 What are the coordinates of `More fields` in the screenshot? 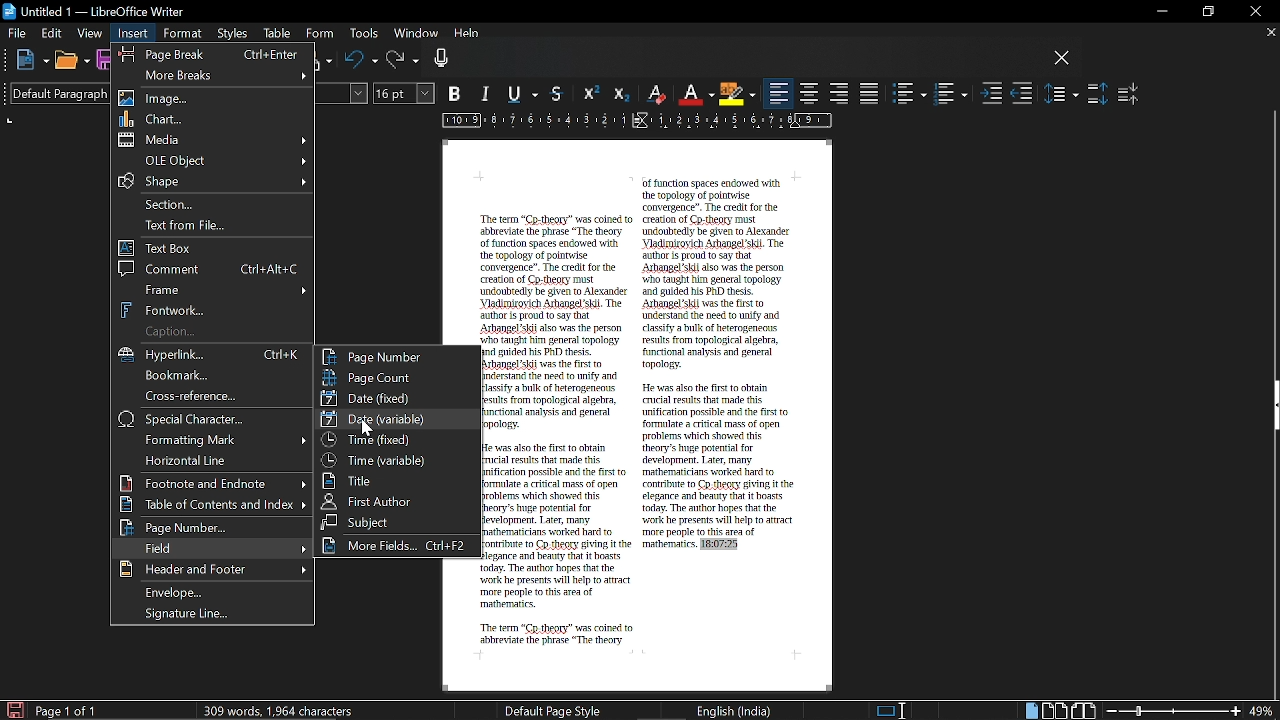 It's located at (398, 546).